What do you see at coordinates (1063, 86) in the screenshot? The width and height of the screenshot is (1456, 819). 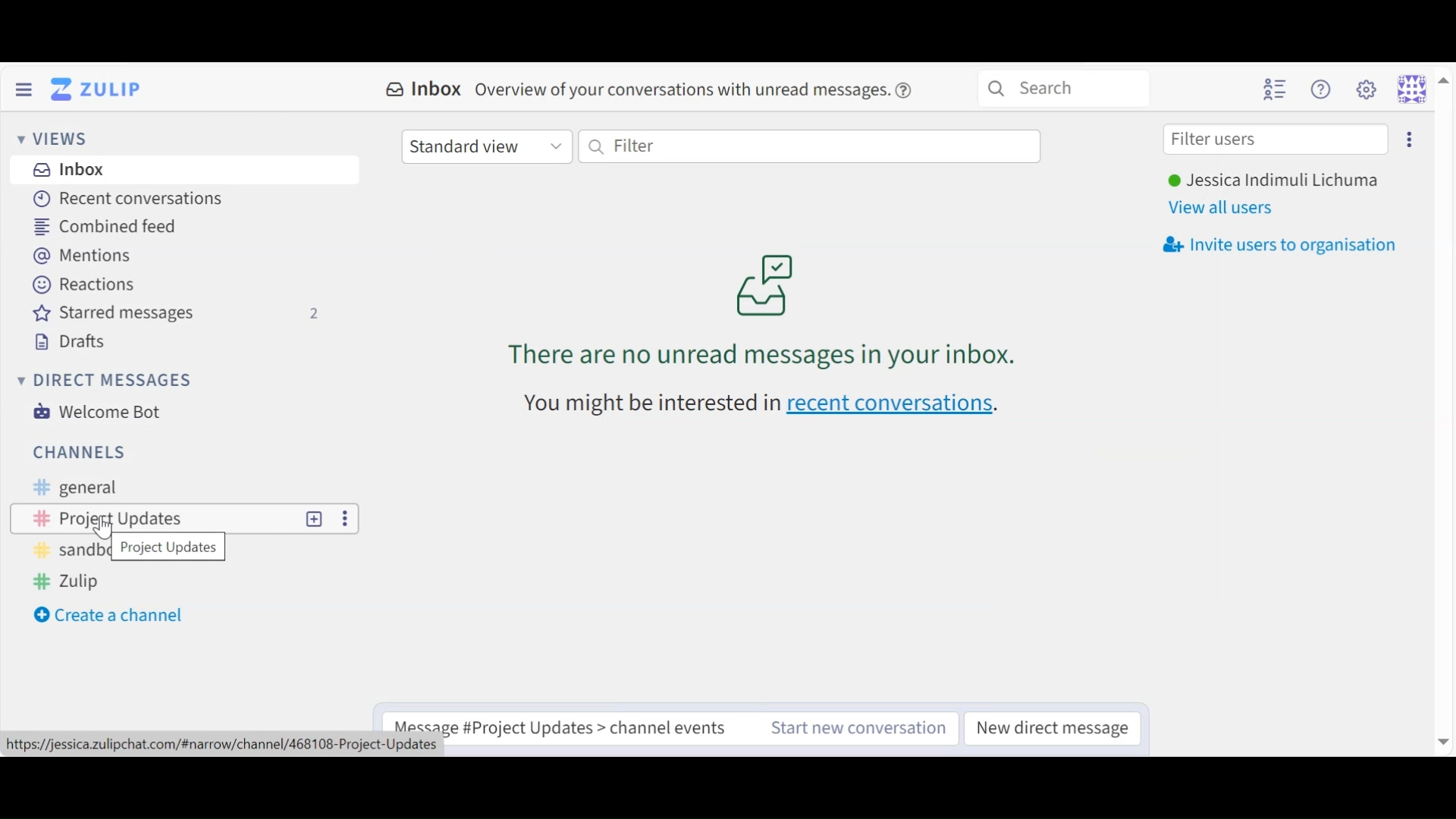 I see `Search` at bounding box center [1063, 86].